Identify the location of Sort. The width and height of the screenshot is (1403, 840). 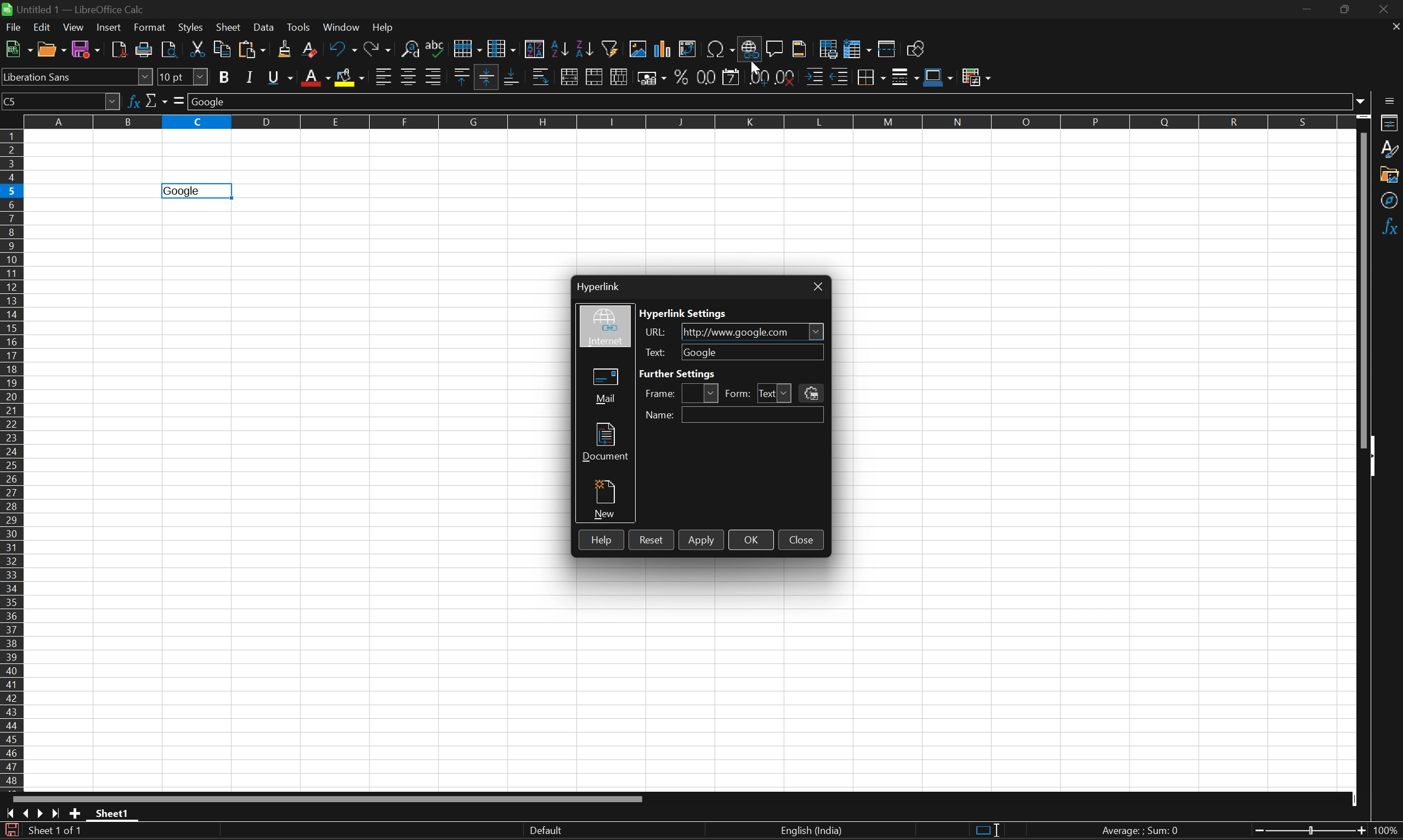
(534, 48).